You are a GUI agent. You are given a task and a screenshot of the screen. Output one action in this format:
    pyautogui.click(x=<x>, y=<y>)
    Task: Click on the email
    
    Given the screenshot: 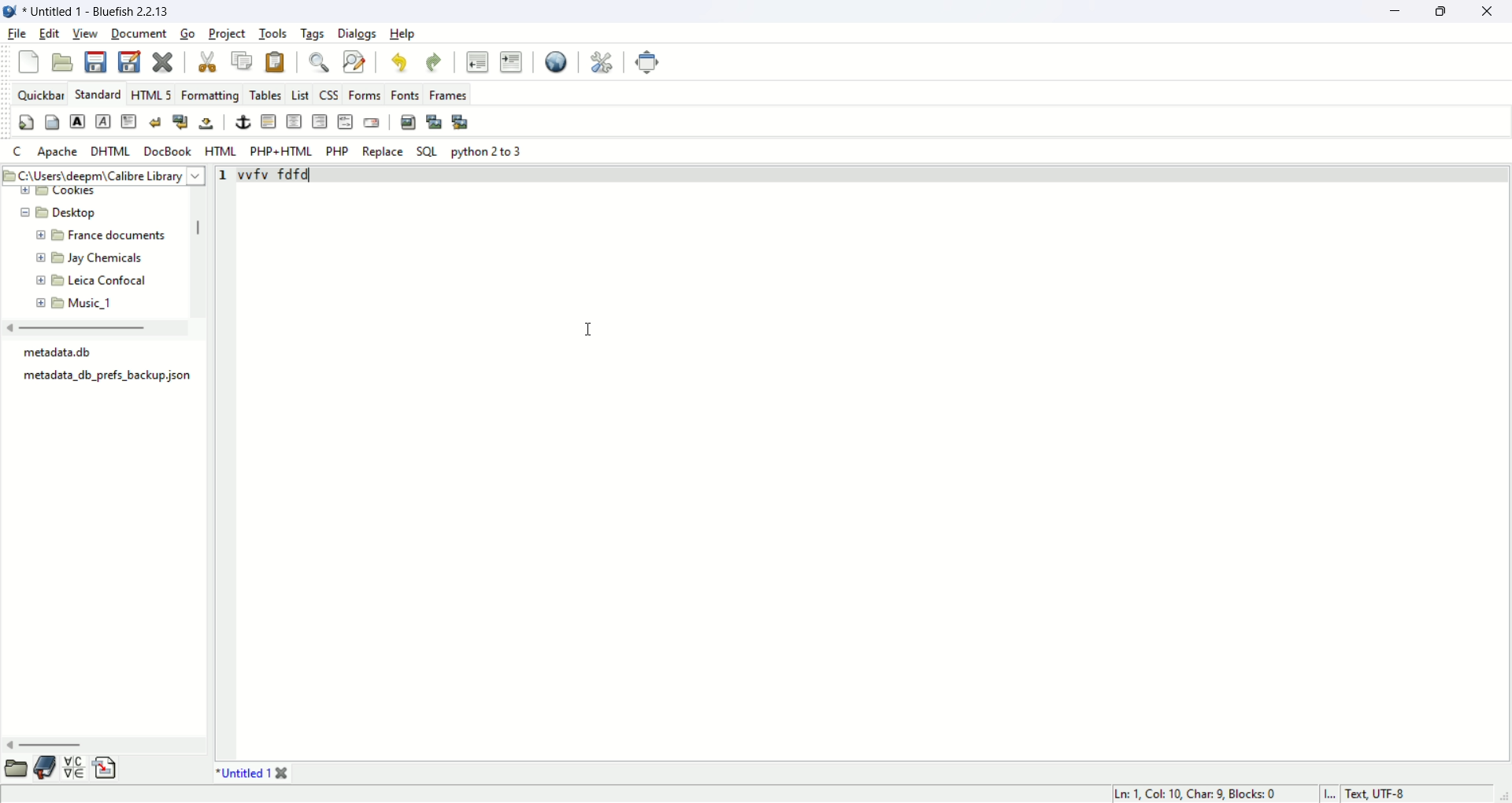 What is the action you would take?
    pyautogui.click(x=375, y=120)
    